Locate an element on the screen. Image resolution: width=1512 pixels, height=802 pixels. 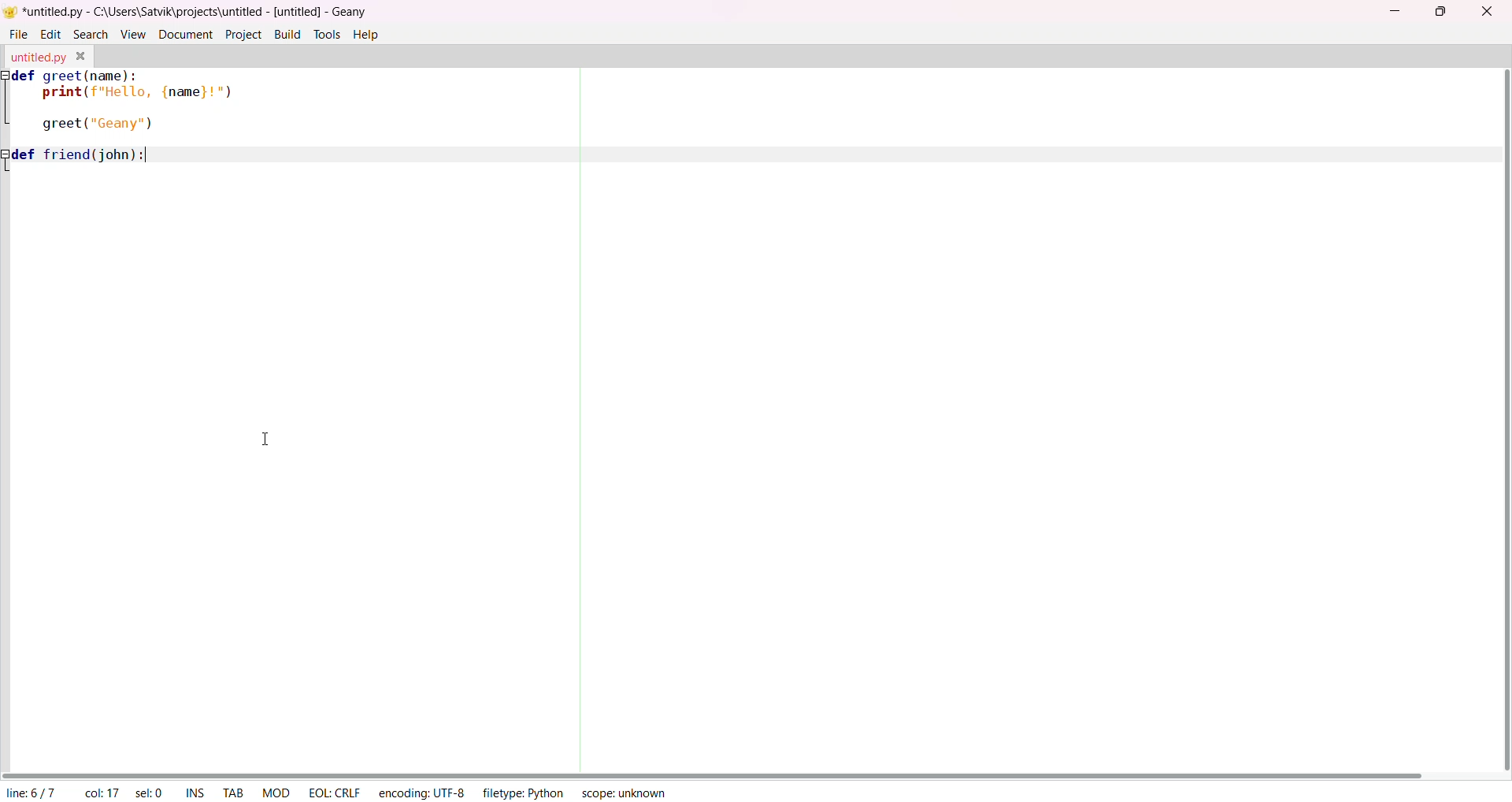
untitled.py is located at coordinates (37, 58).